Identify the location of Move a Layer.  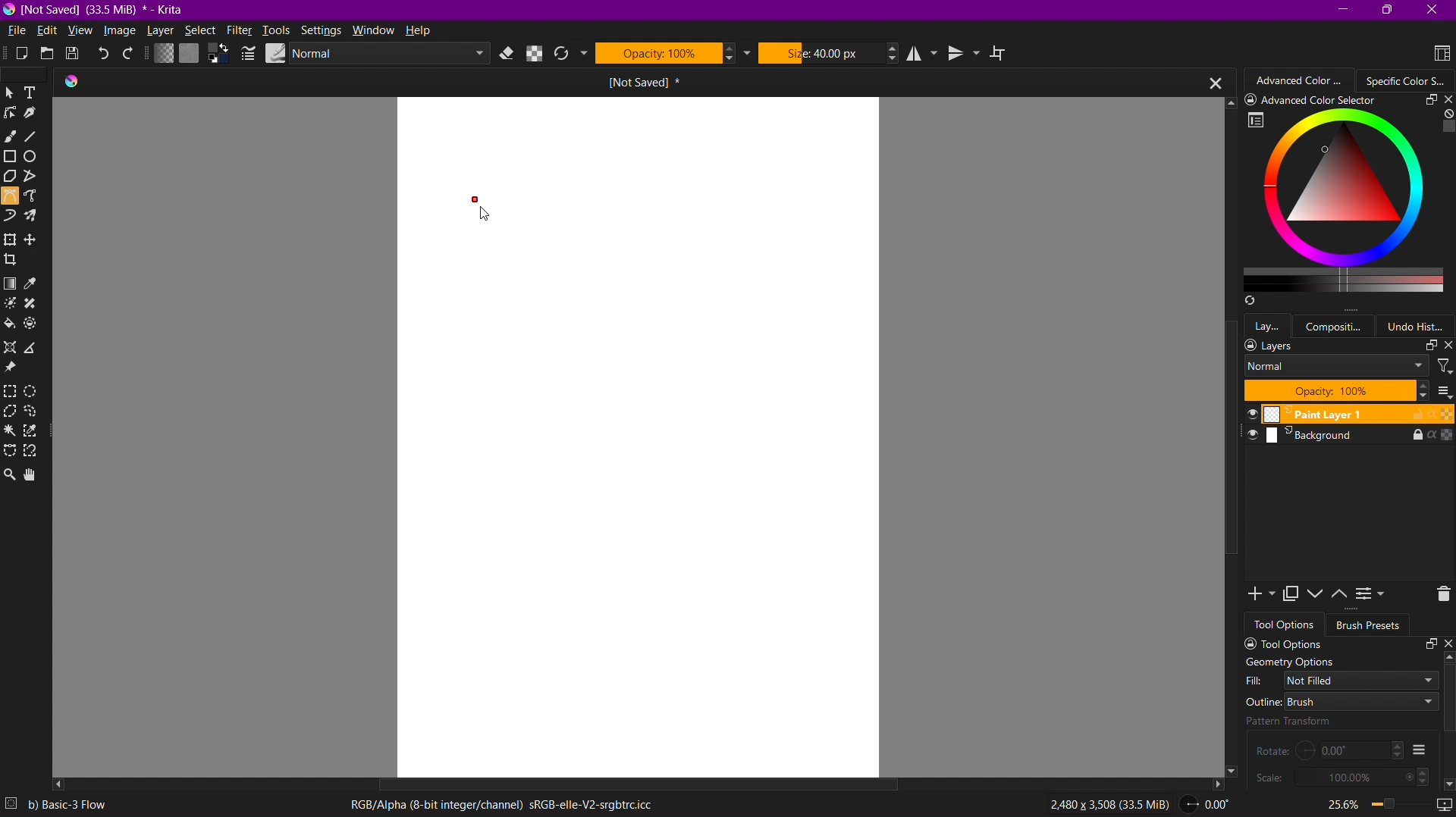
(35, 240).